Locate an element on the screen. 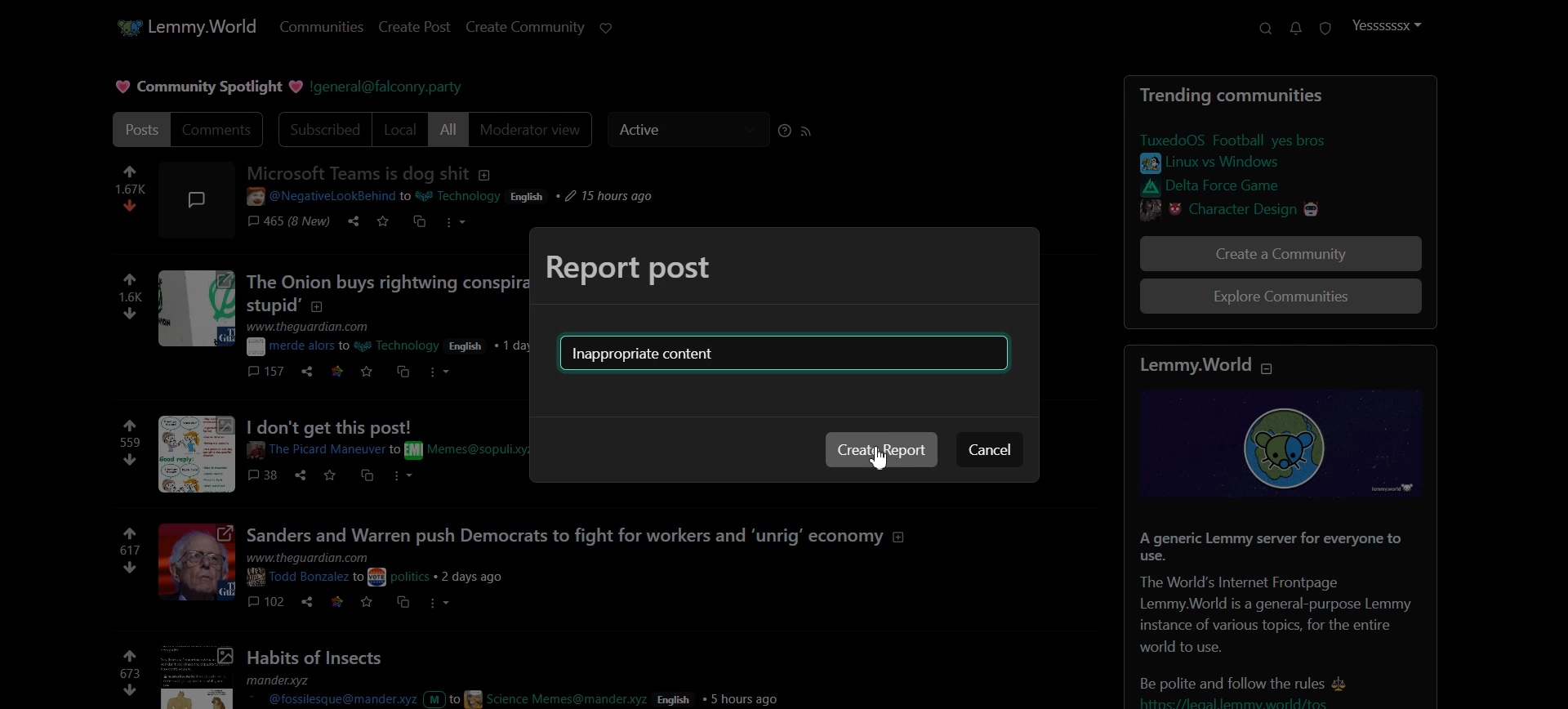 The width and height of the screenshot is (1568, 709). save is located at coordinates (385, 224).